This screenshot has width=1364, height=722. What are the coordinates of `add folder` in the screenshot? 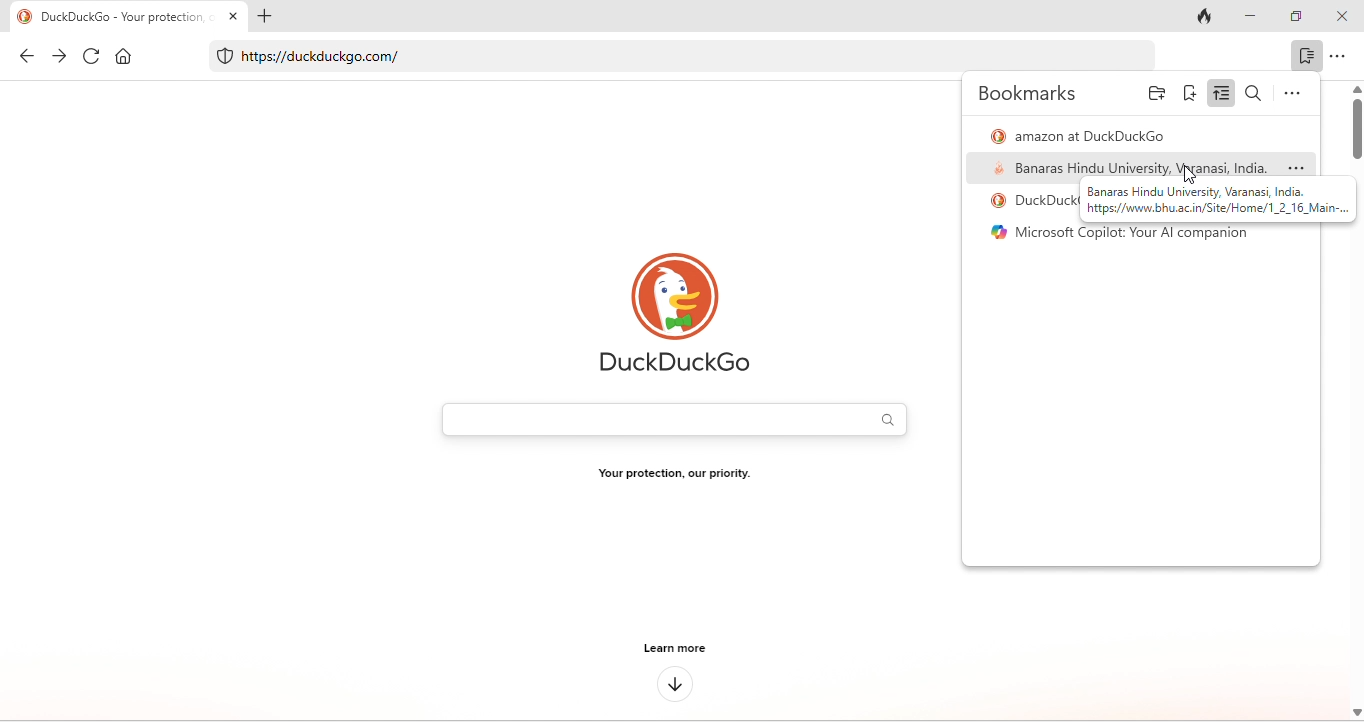 It's located at (1156, 95).